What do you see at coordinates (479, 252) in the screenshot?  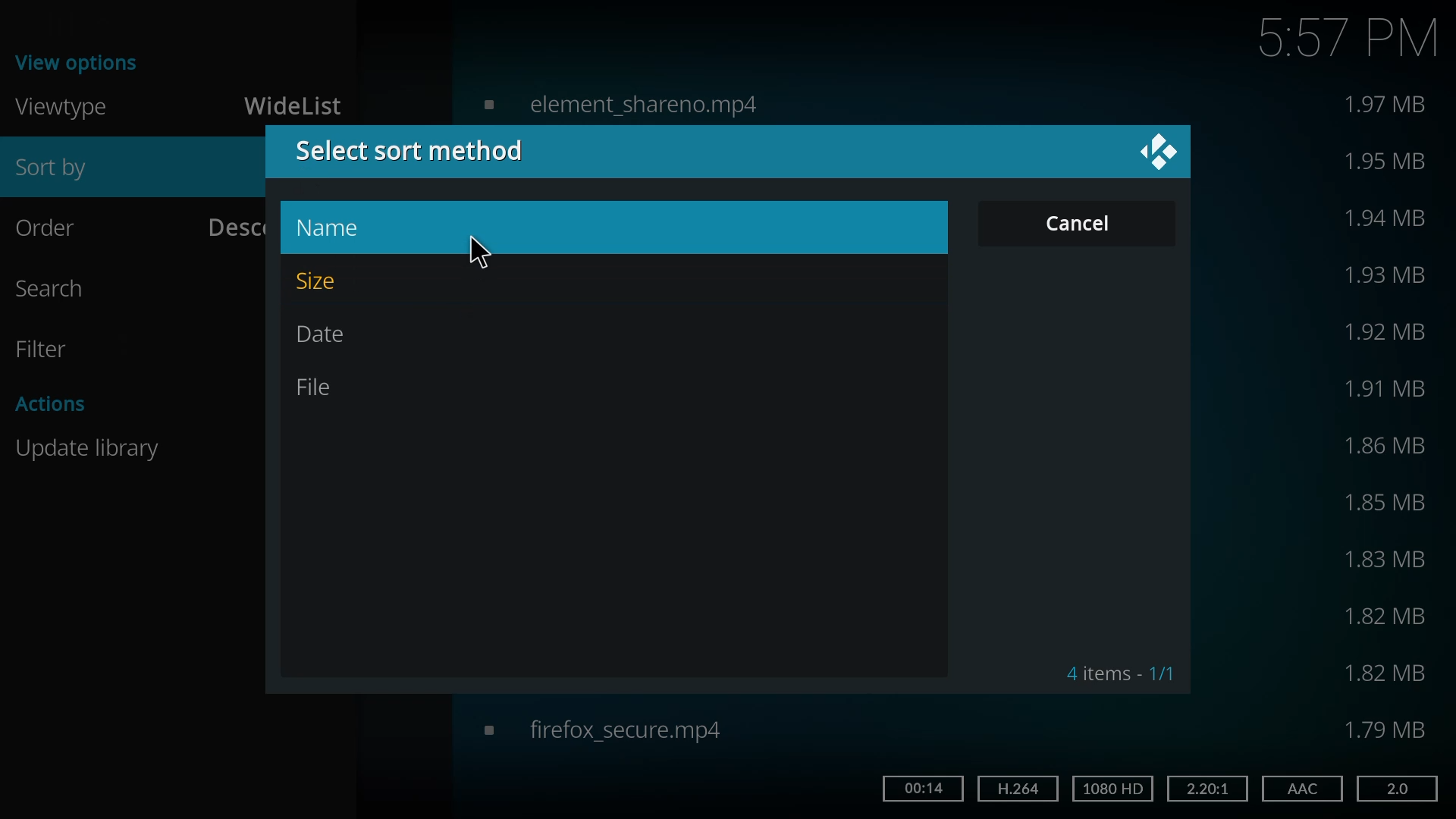 I see `cursor` at bounding box center [479, 252].